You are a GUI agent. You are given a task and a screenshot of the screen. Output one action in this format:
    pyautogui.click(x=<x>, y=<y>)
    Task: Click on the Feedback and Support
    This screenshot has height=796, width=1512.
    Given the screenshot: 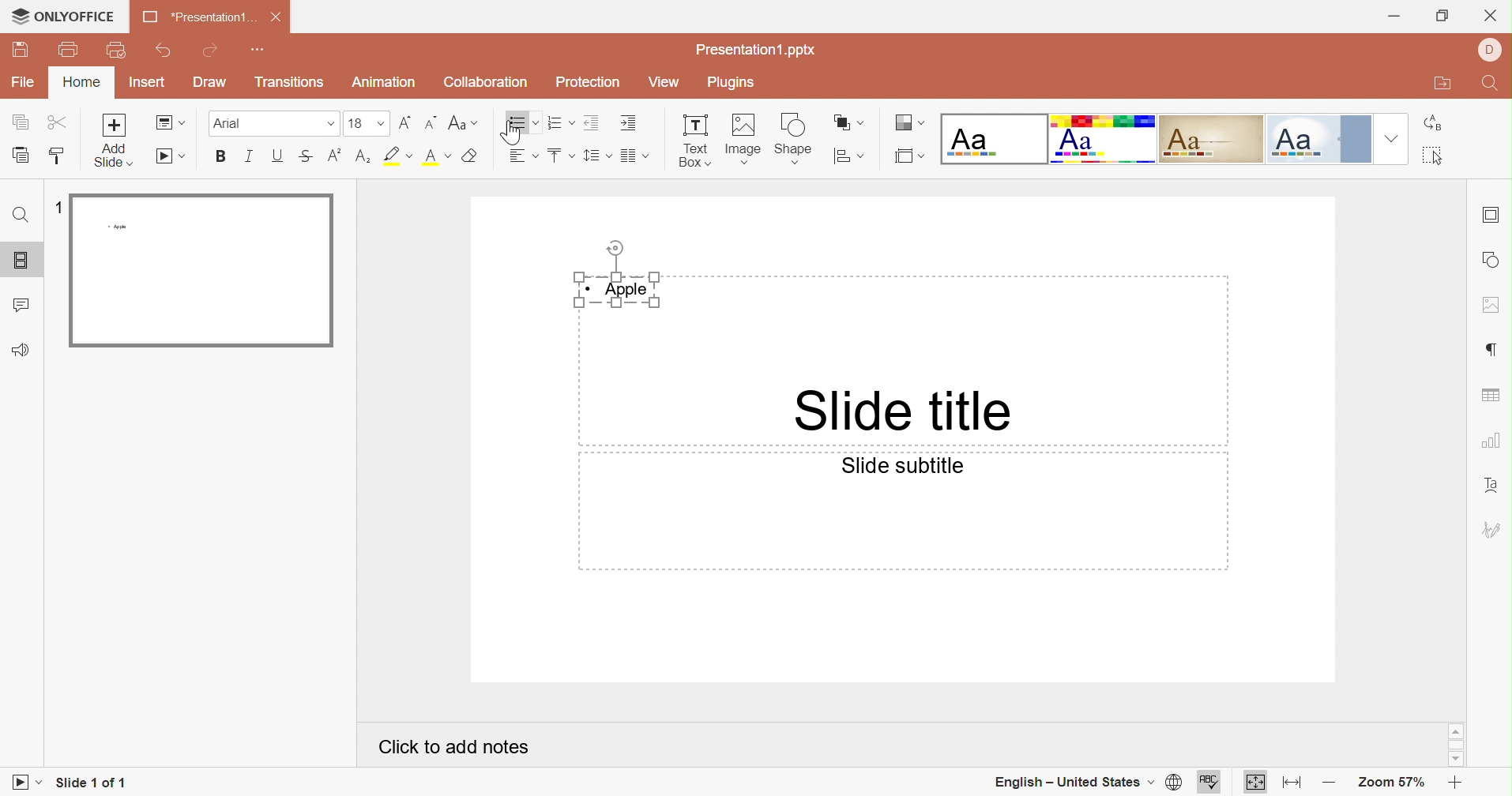 What is the action you would take?
    pyautogui.click(x=21, y=349)
    